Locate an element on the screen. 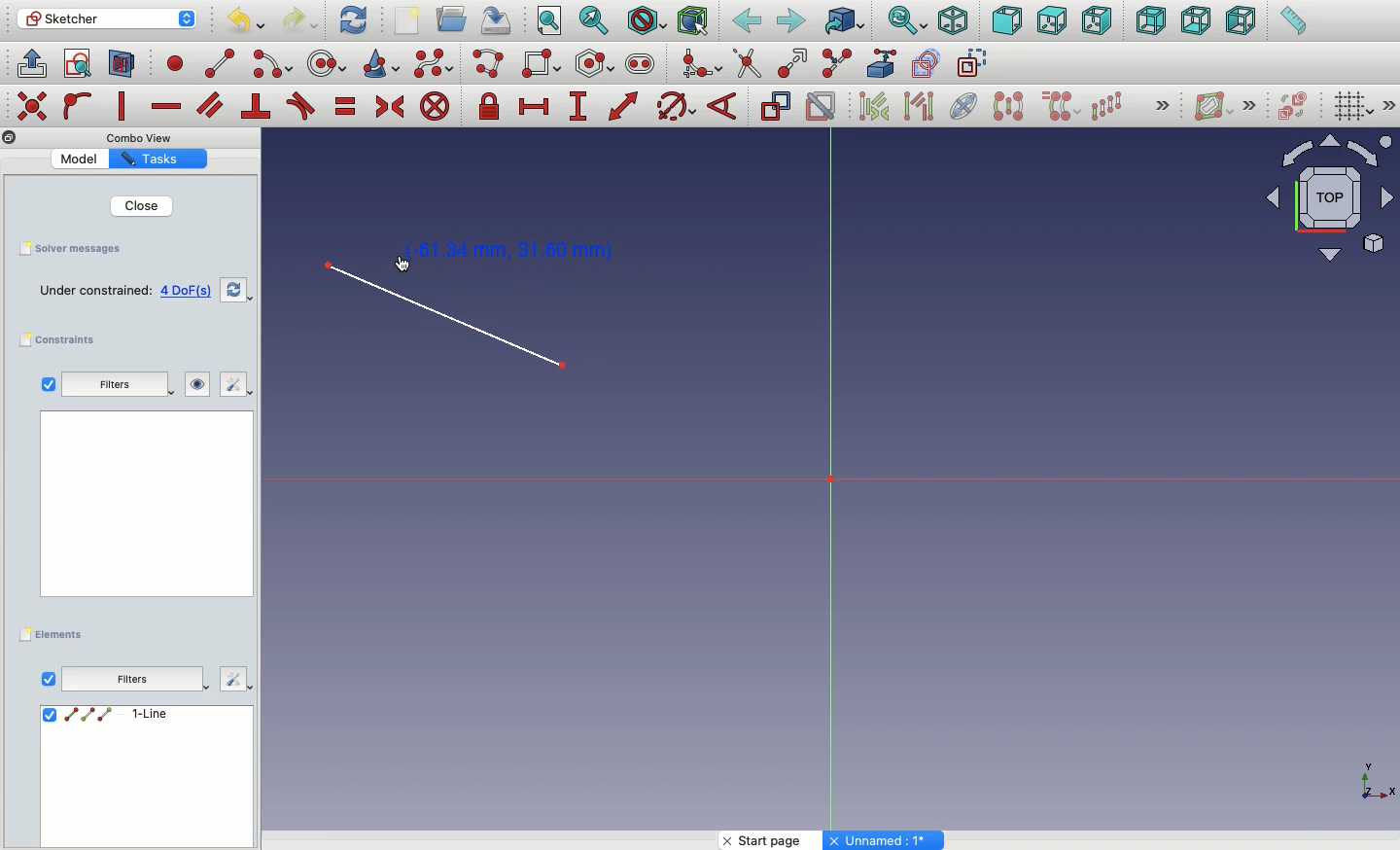 Image resolution: width=1400 pixels, height=850 pixels. Rectangle is located at coordinates (543, 64).